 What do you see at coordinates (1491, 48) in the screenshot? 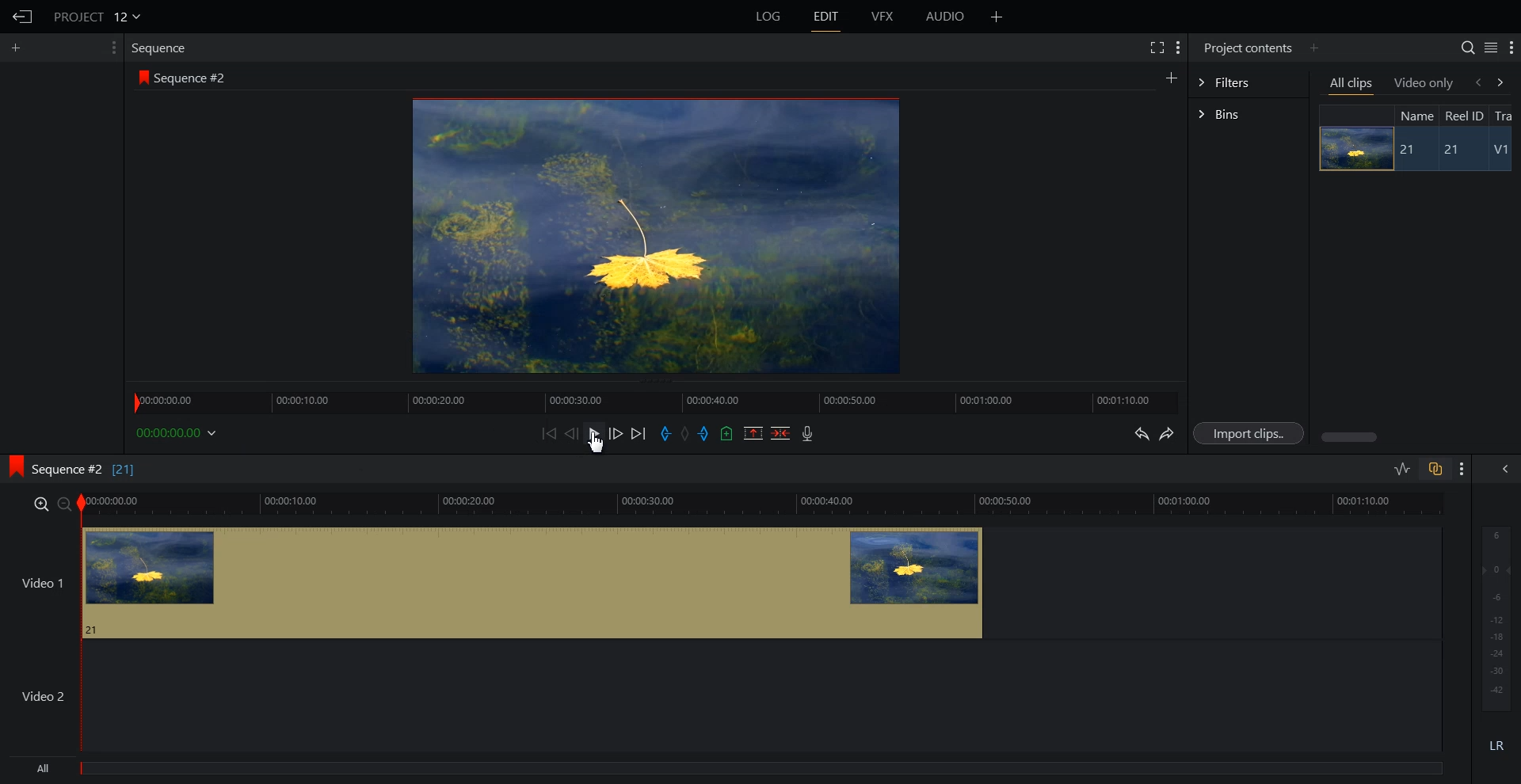
I see `Toggle between list and tile view` at bounding box center [1491, 48].